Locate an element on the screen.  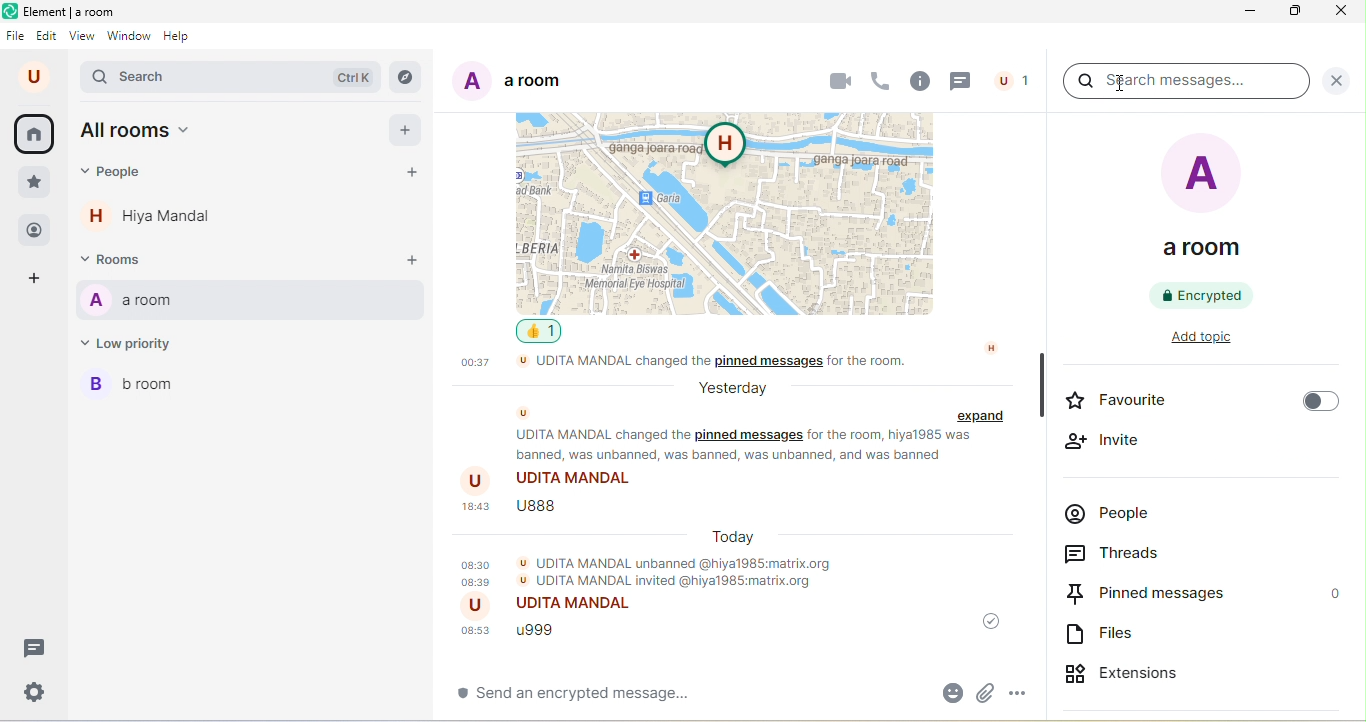
people is located at coordinates (33, 229).